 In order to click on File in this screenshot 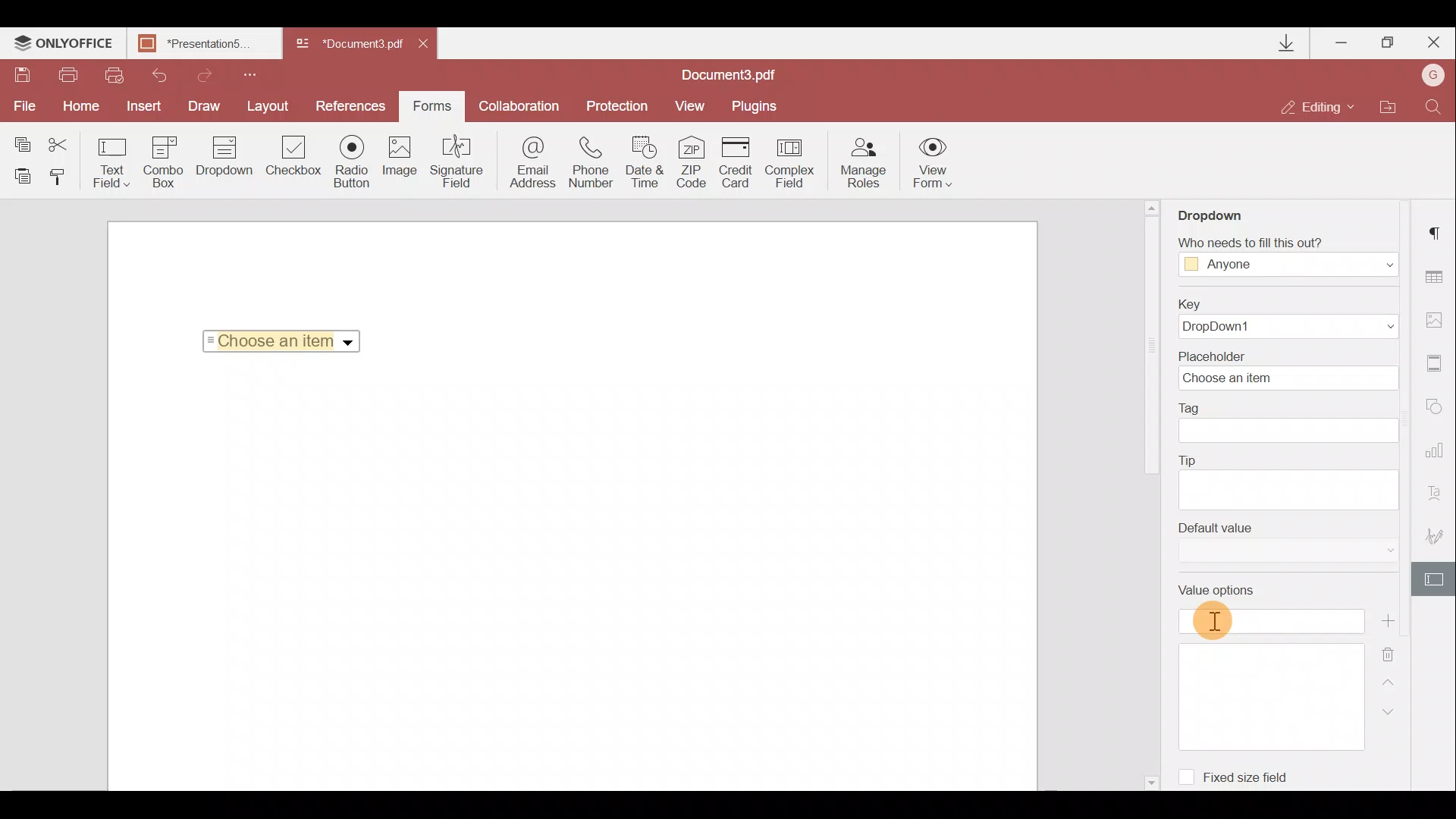, I will do `click(23, 106)`.